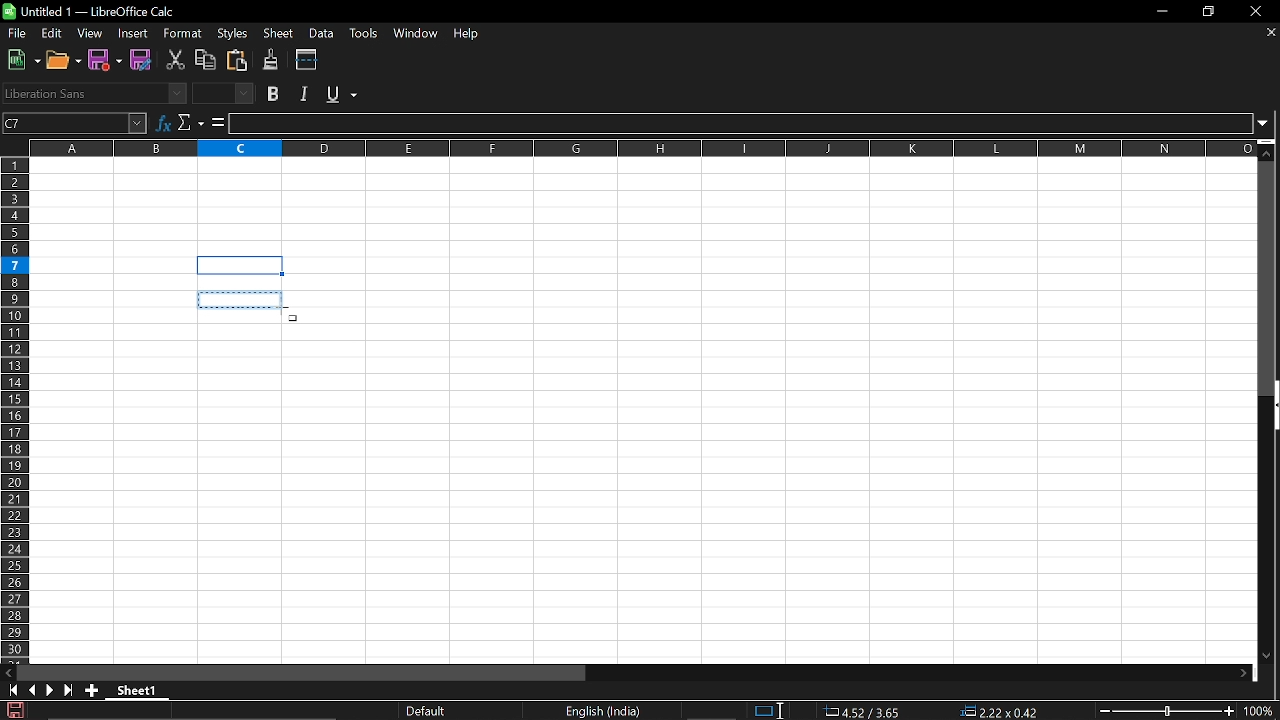  Describe the element at coordinates (428, 711) in the screenshot. I see `Current look` at that location.